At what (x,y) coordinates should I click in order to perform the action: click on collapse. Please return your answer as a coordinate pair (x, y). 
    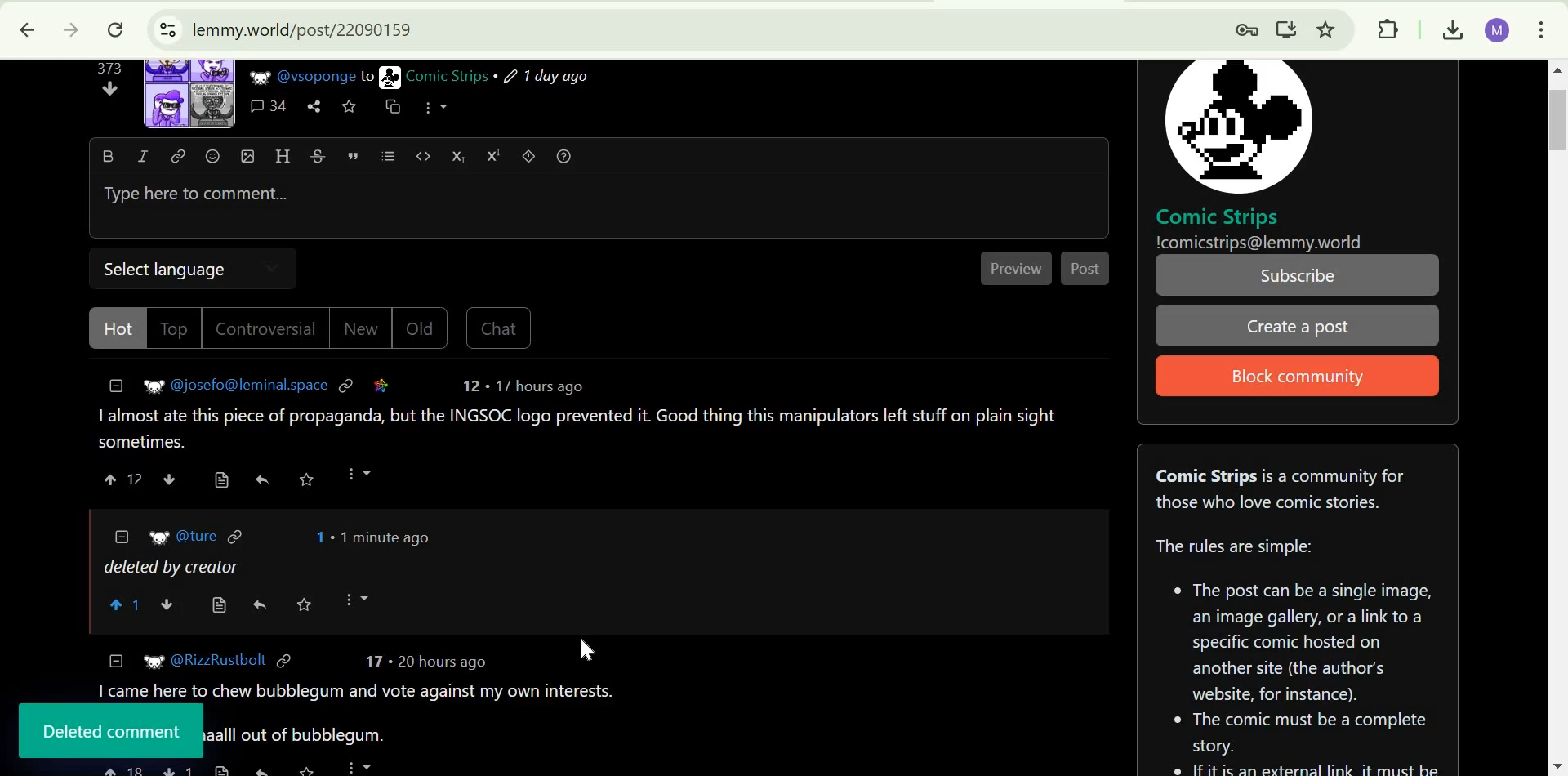
    Looking at the image, I should click on (122, 535).